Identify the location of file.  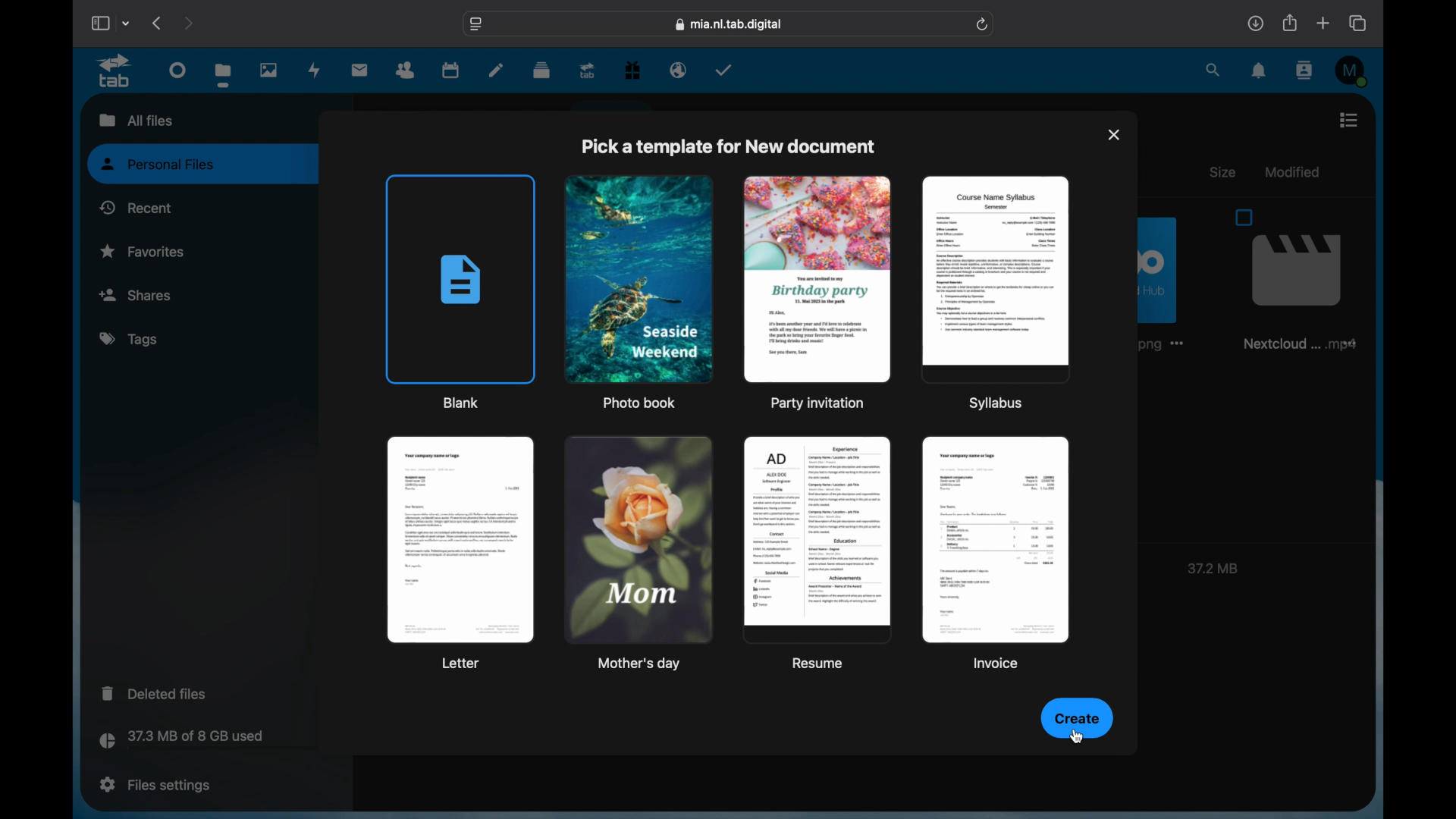
(1292, 280).